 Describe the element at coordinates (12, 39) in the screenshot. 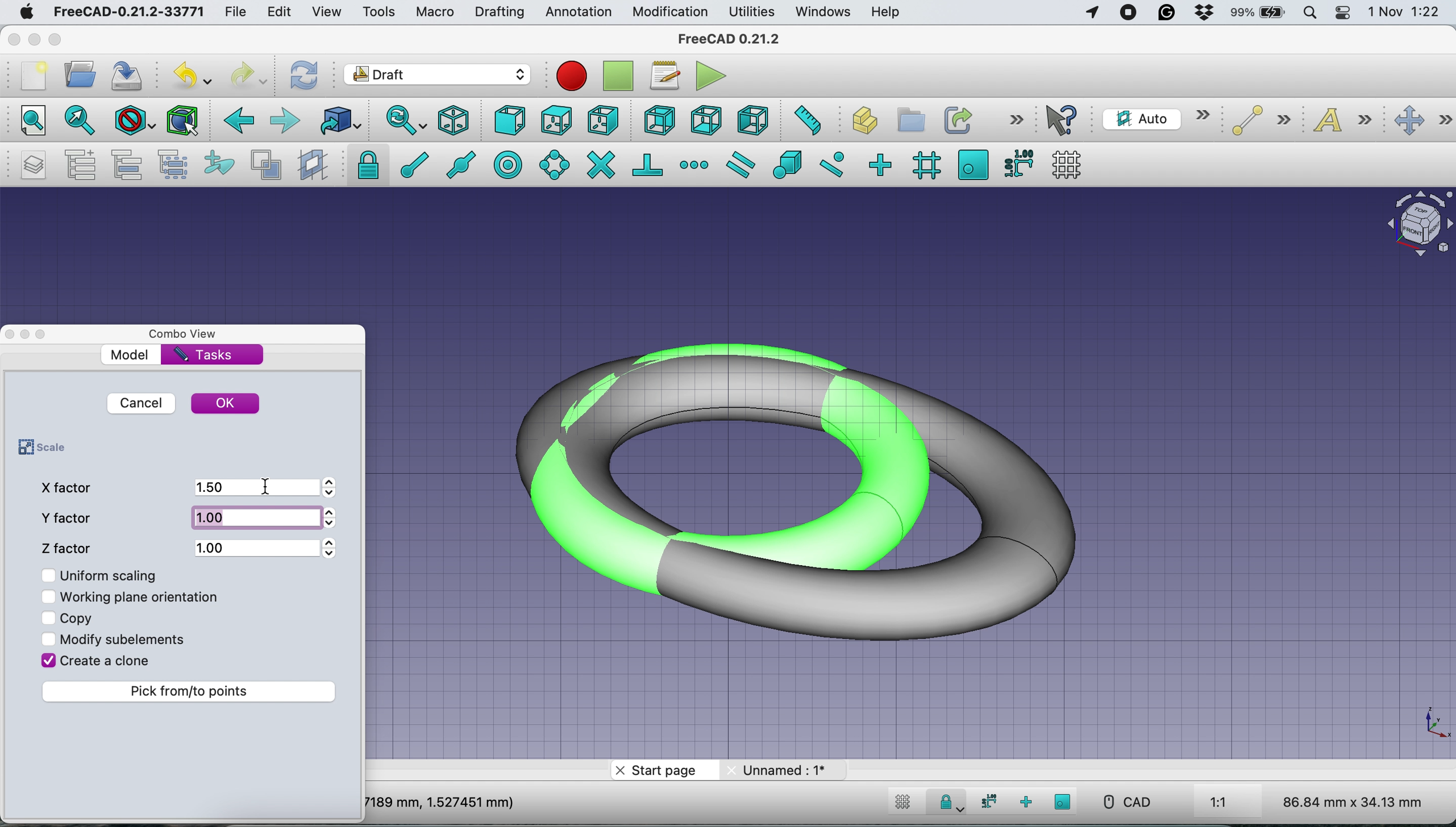

I see `close` at that location.